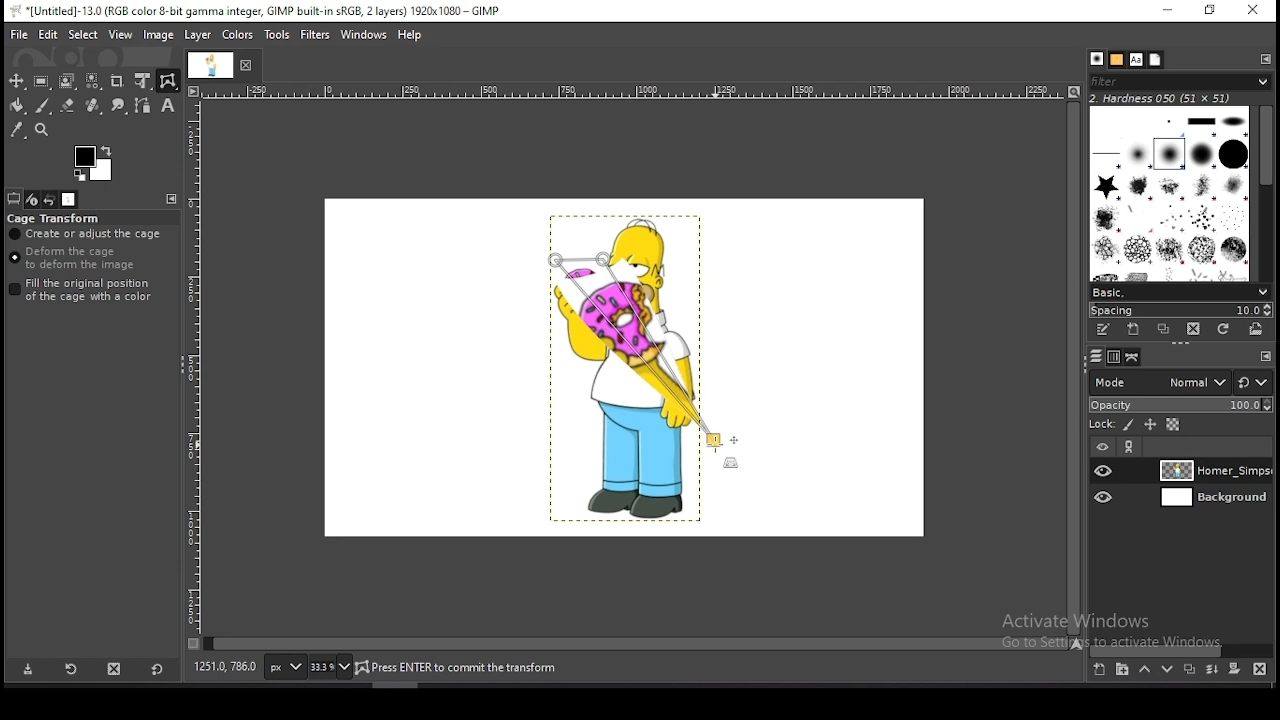 The image size is (1280, 720). Describe the element at coordinates (1180, 309) in the screenshot. I see `spacing` at that location.